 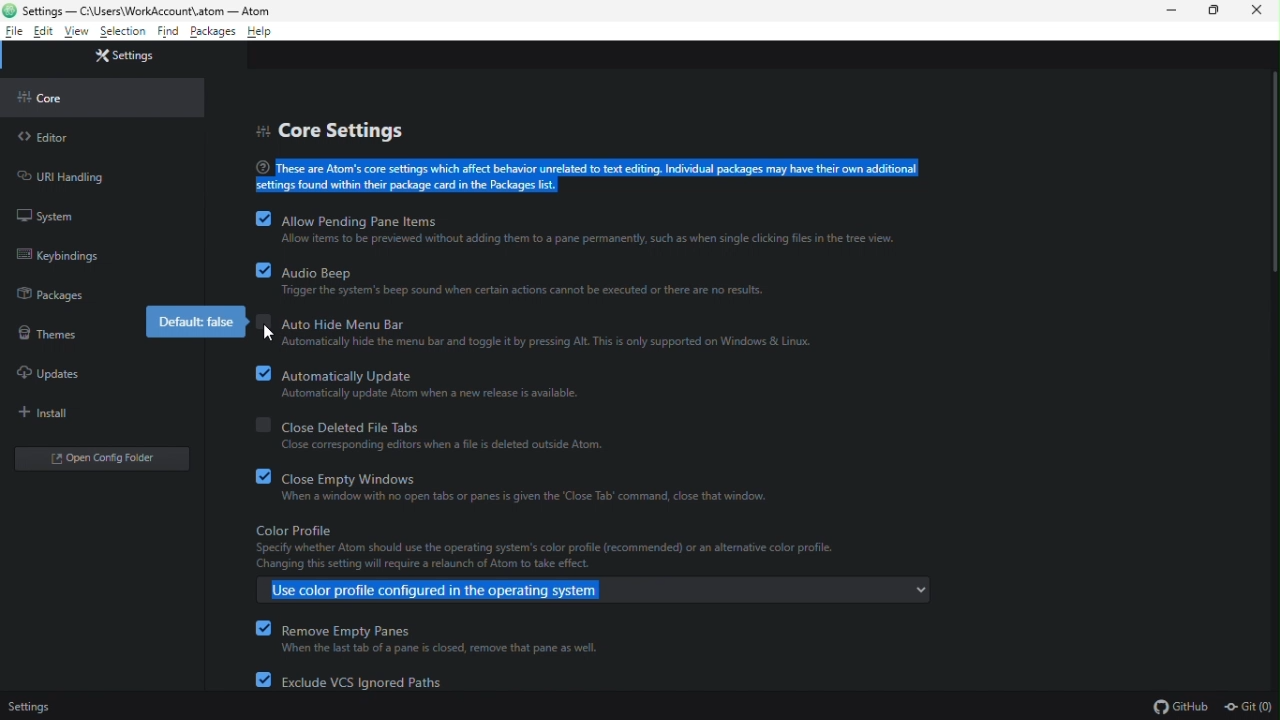 What do you see at coordinates (48, 333) in the screenshot?
I see `theme` at bounding box center [48, 333].